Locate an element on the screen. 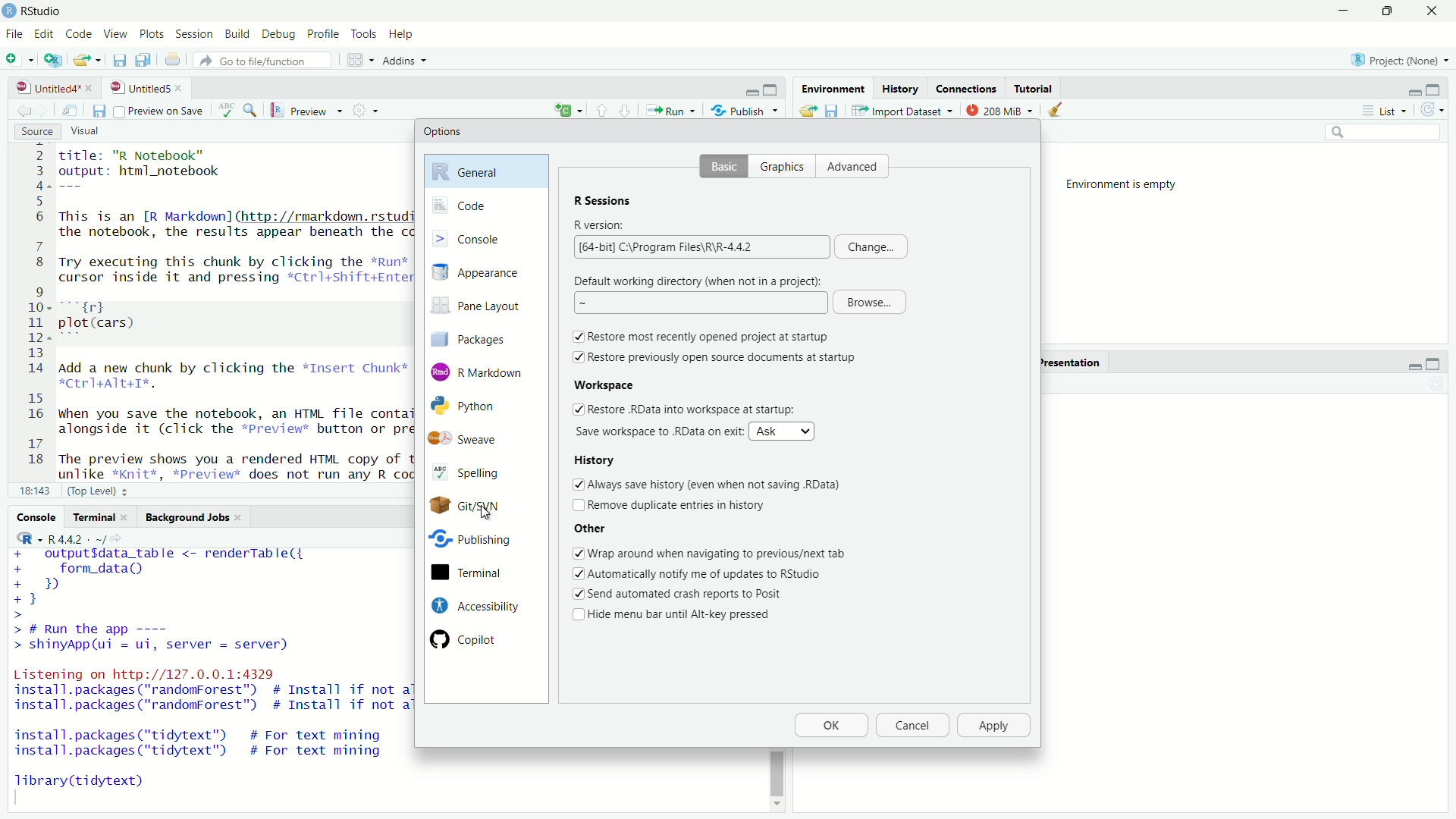 This screenshot has width=1456, height=819. maximize is located at coordinates (1437, 89).